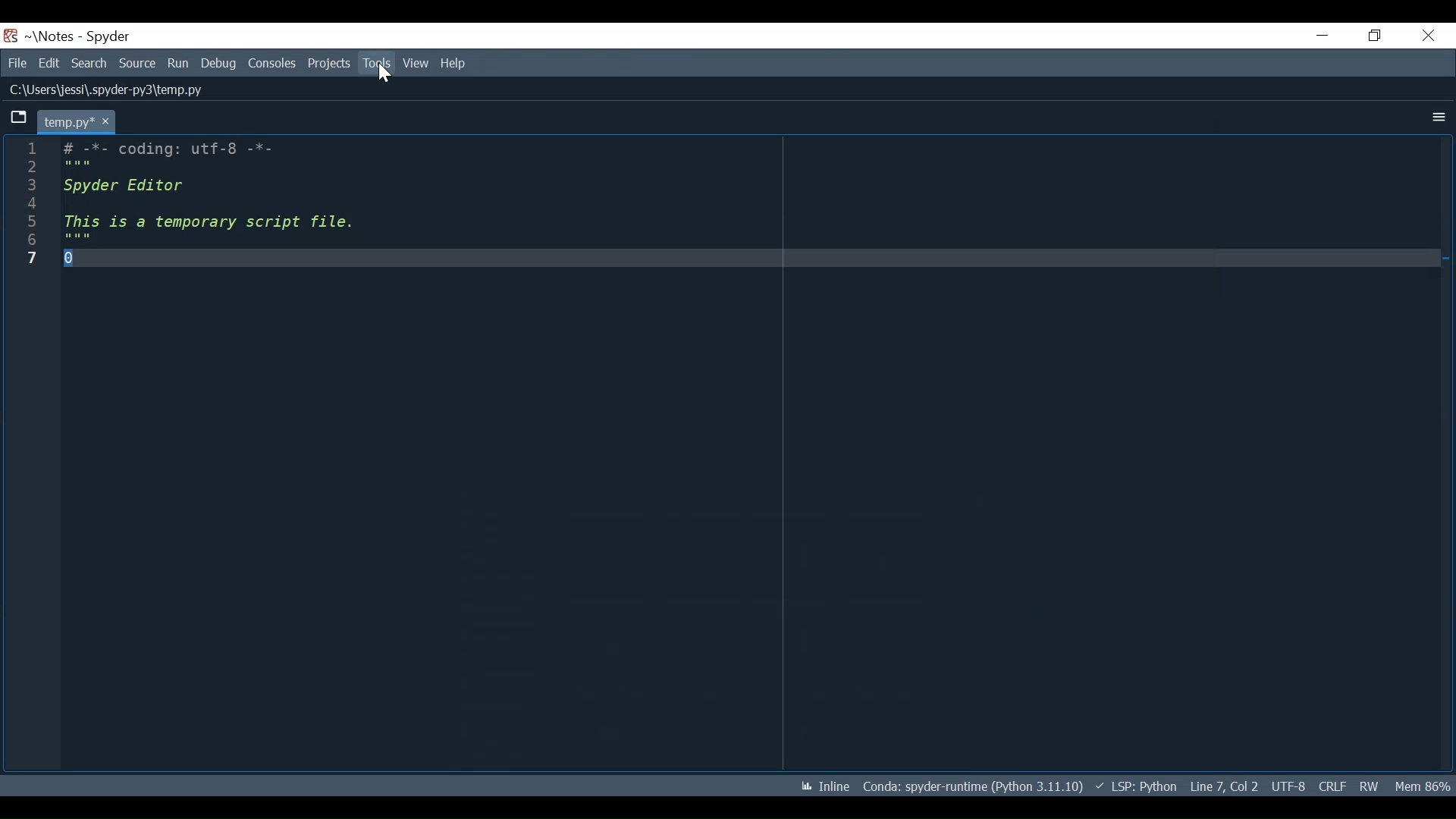  I want to click on File Encoding, so click(1288, 785).